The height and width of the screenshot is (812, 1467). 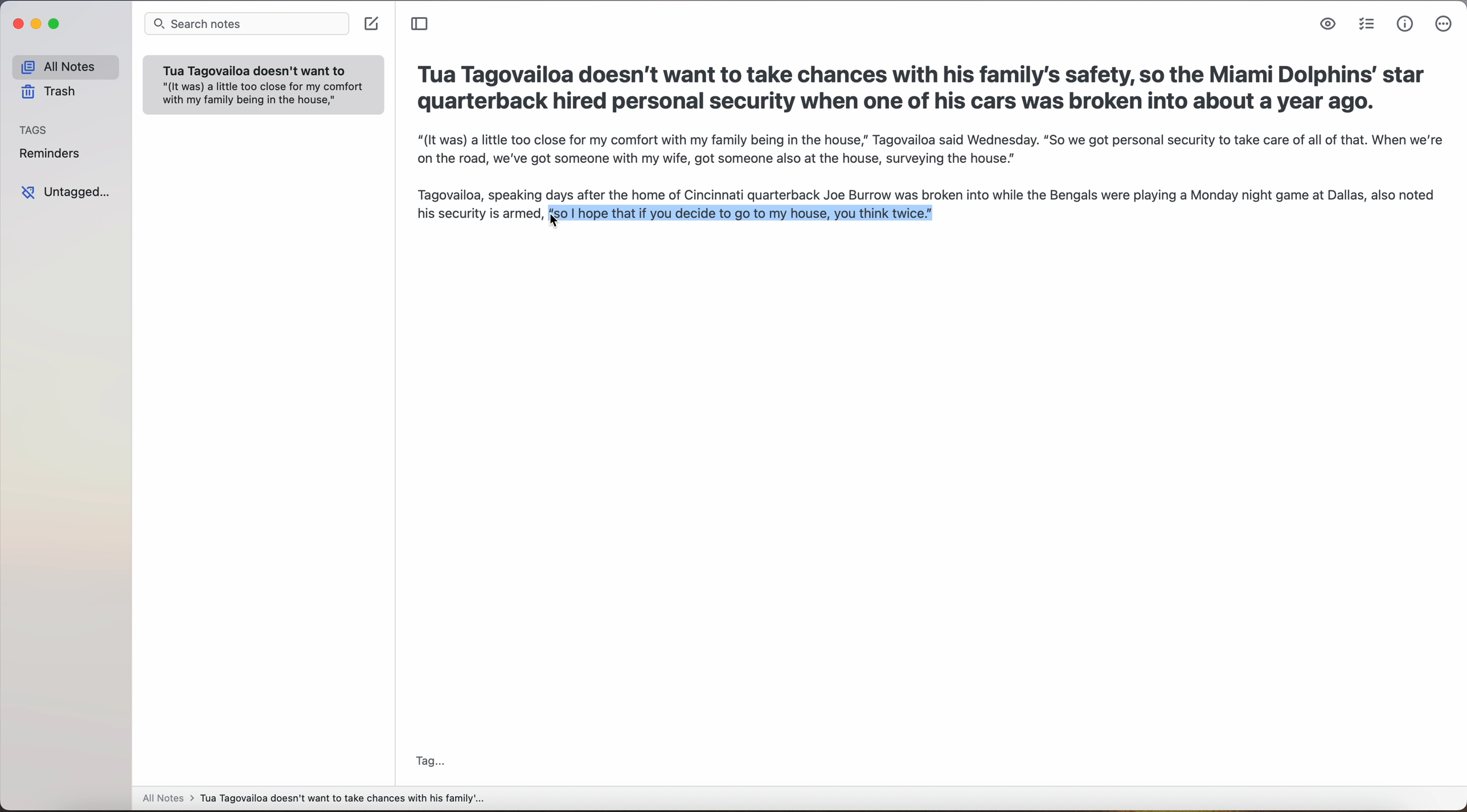 What do you see at coordinates (1443, 24) in the screenshot?
I see `more options` at bounding box center [1443, 24].